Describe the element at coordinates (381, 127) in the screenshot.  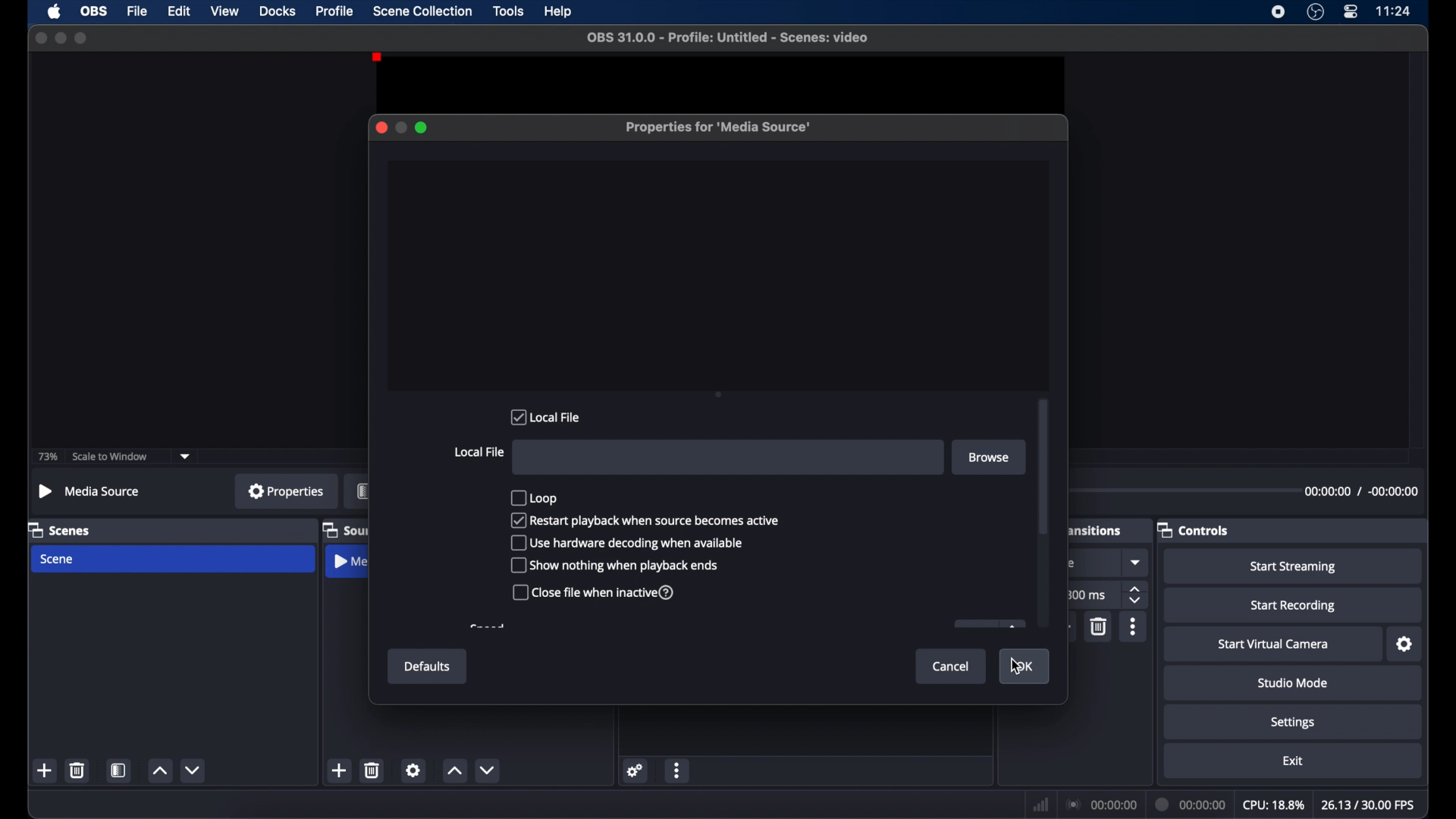
I see `close` at that location.